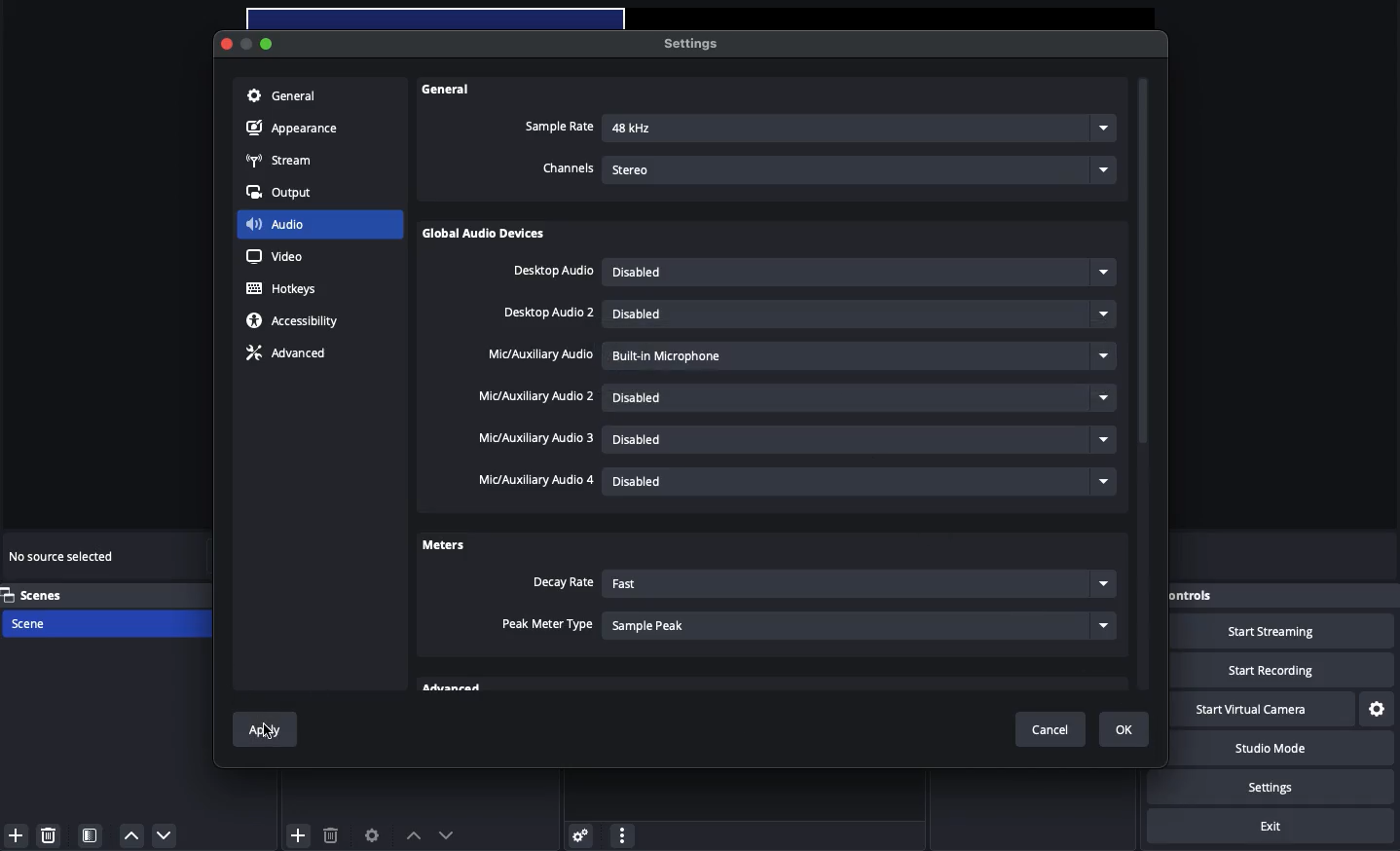 This screenshot has height=851, width=1400. What do you see at coordinates (1271, 827) in the screenshot?
I see `Exit` at bounding box center [1271, 827].